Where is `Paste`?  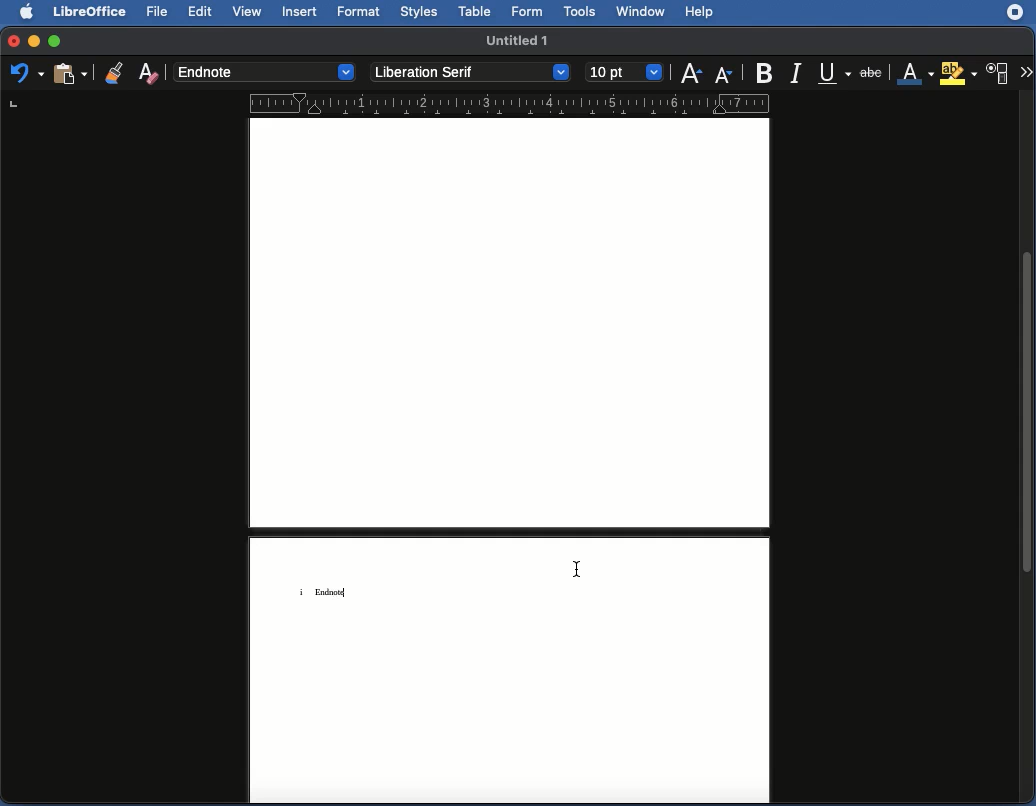 Paste is located at coordinates (69, 73).